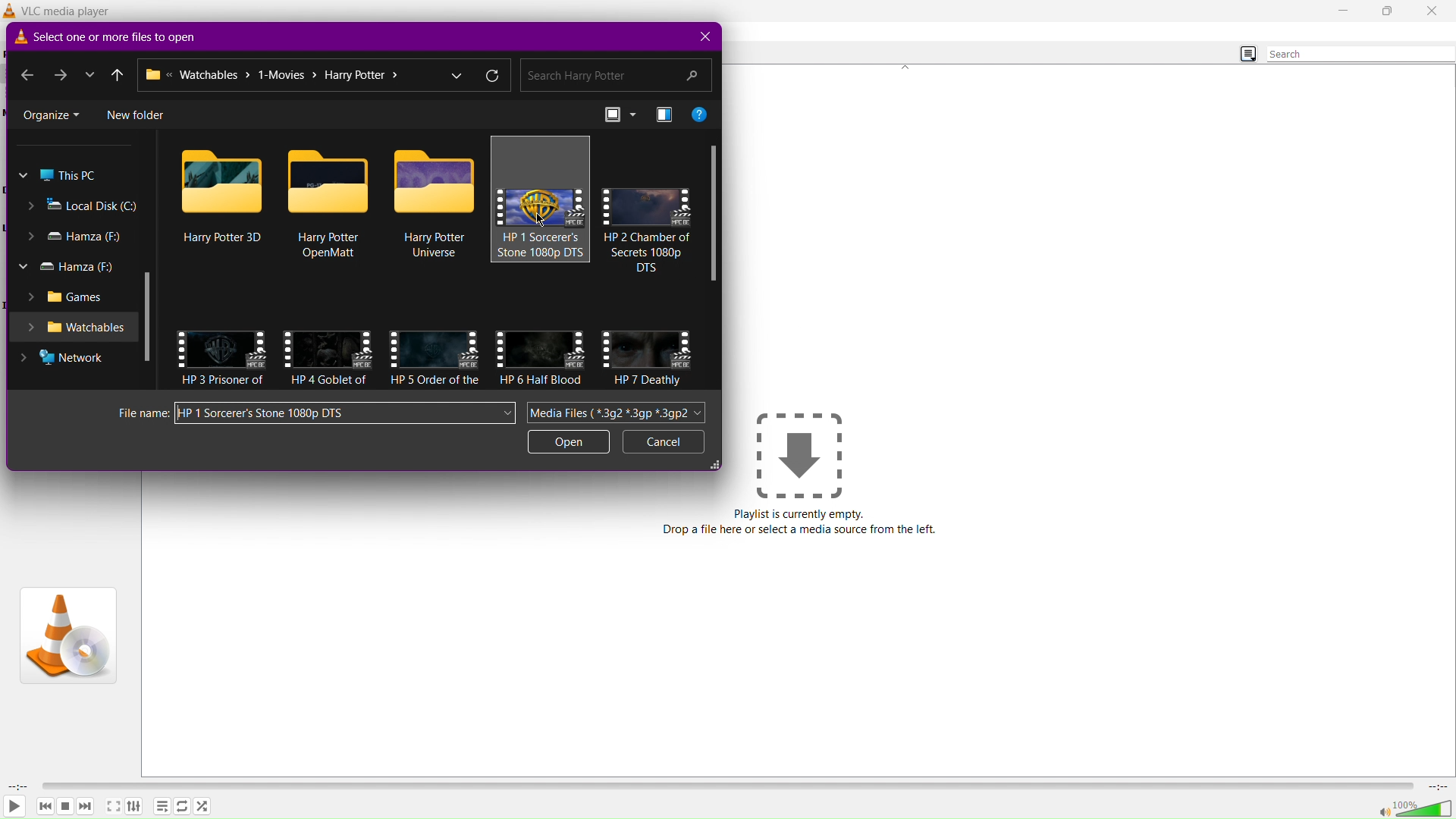 Image resolution: width=1456 pixels, height=819 pixels. What do you see at coordinates (540, 380) in the screenshot?
I see `harry potter ` at bounding box center [540, 380].